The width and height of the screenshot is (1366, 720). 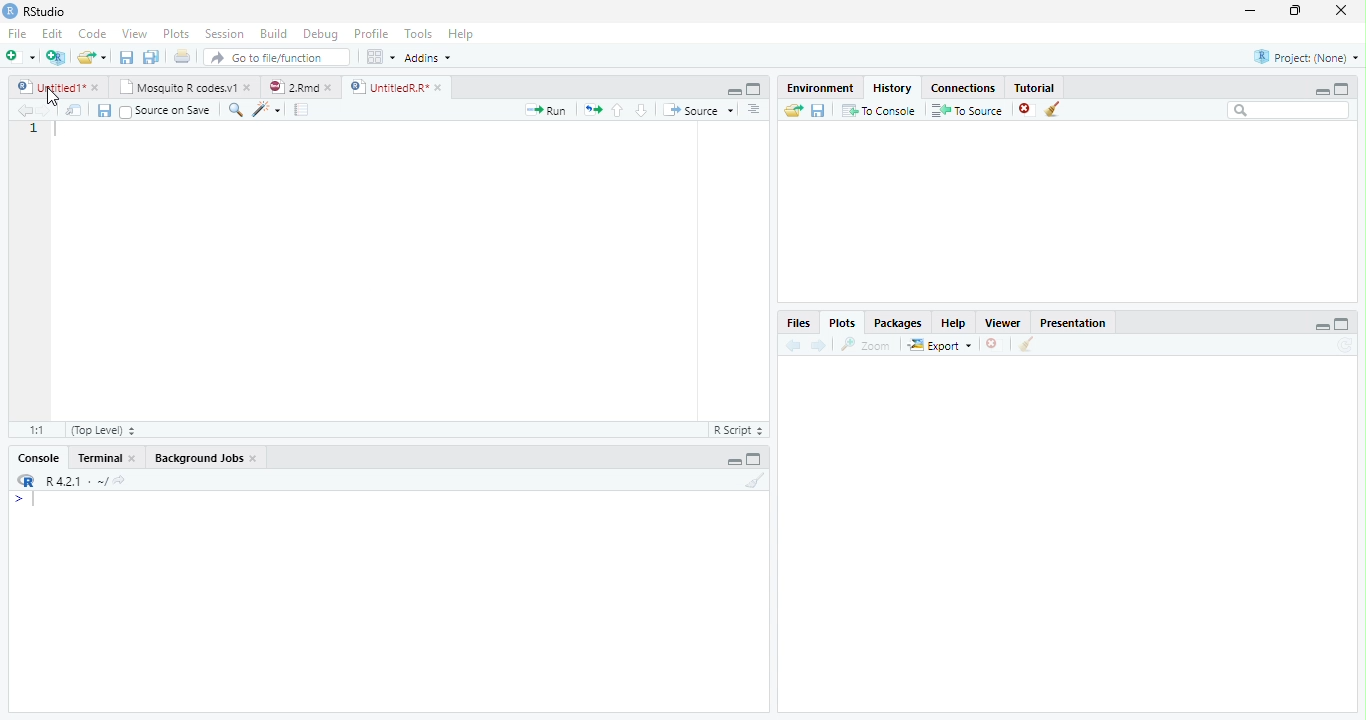 I want to click on minimize, so click(x=734, y=462).